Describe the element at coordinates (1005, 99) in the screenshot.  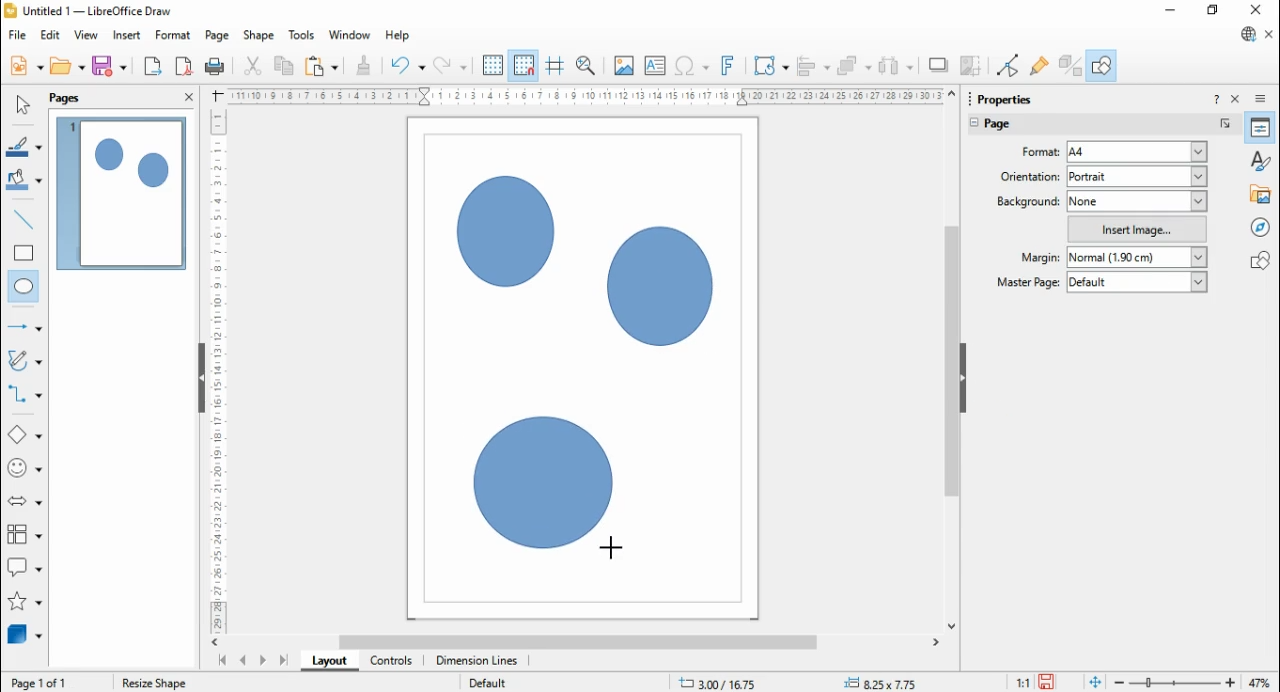
I see `Properties` at that location.